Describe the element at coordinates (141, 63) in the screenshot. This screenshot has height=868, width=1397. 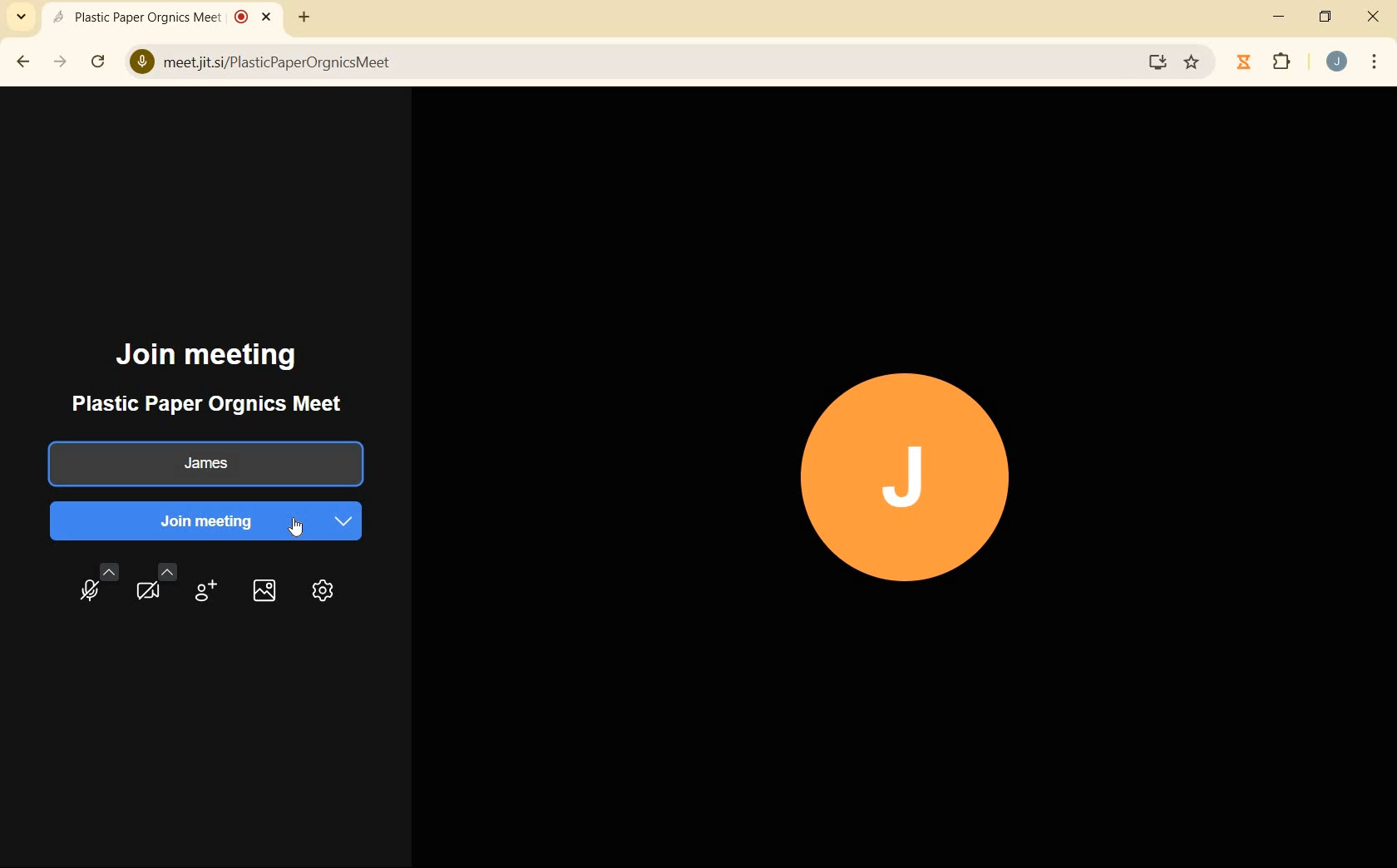
I see `View site information` at that location.